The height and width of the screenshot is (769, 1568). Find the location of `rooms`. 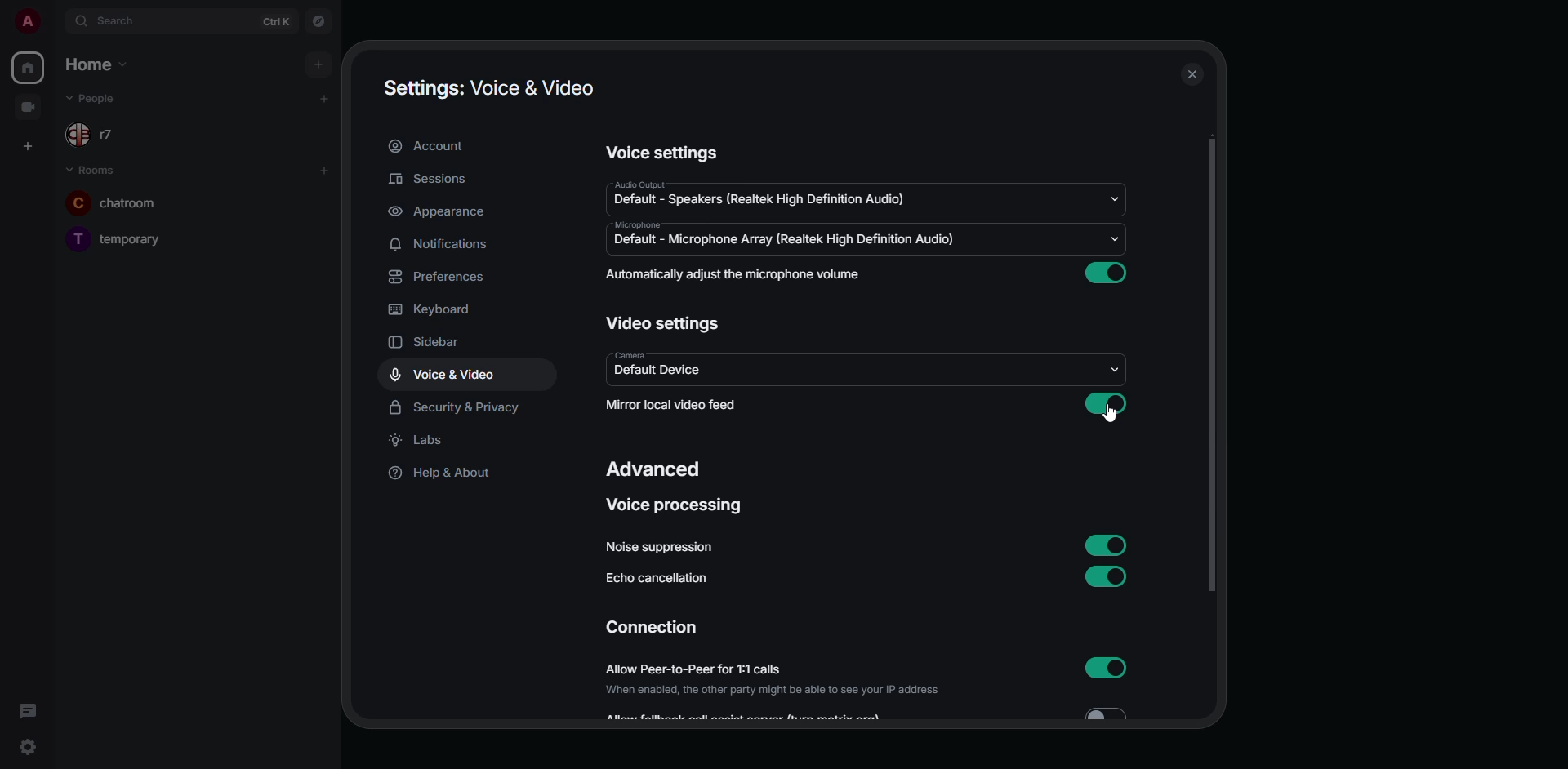

rooms is located at coordinates (94, 170).